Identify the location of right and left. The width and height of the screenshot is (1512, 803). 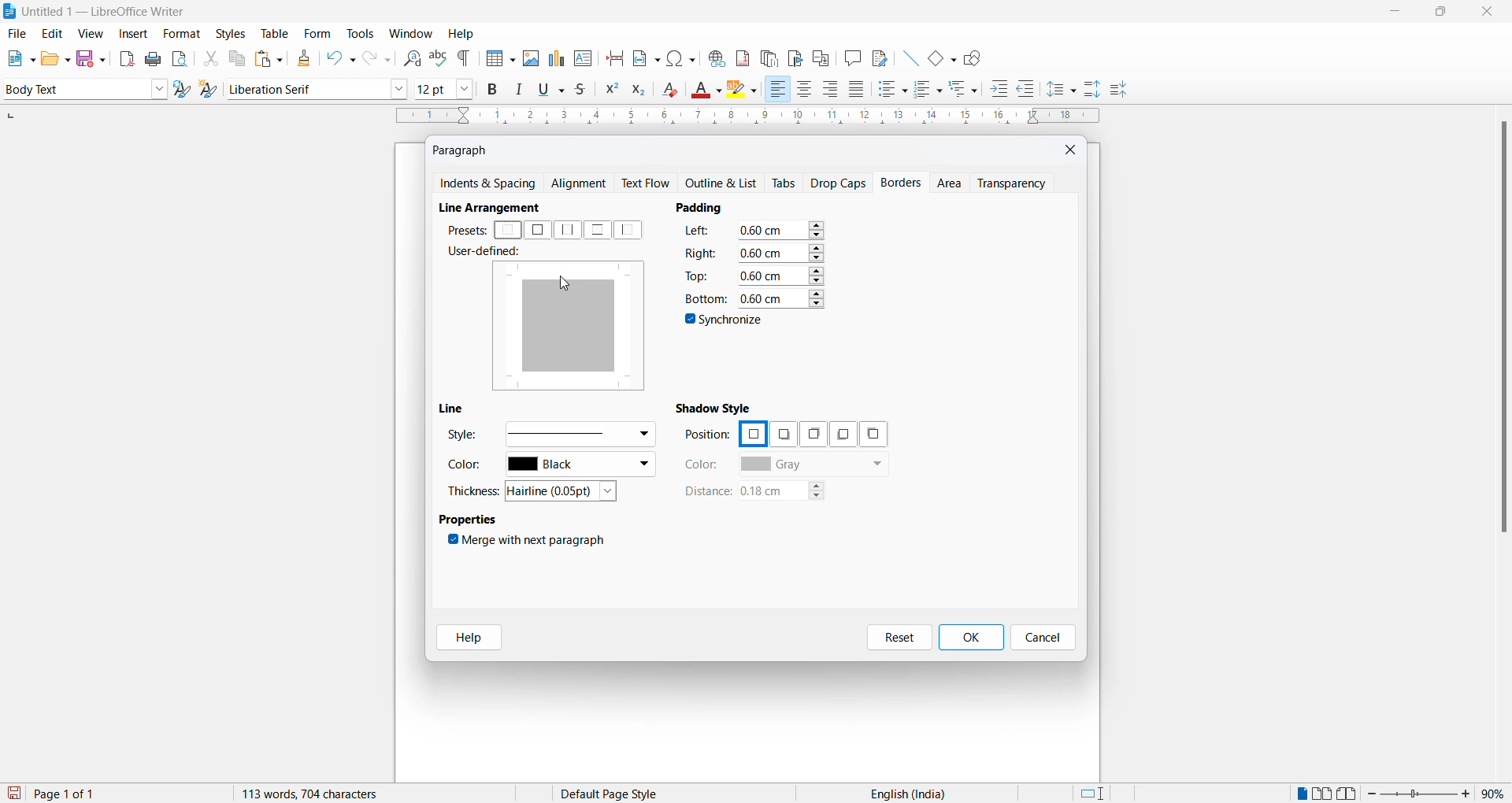
(569, 230).